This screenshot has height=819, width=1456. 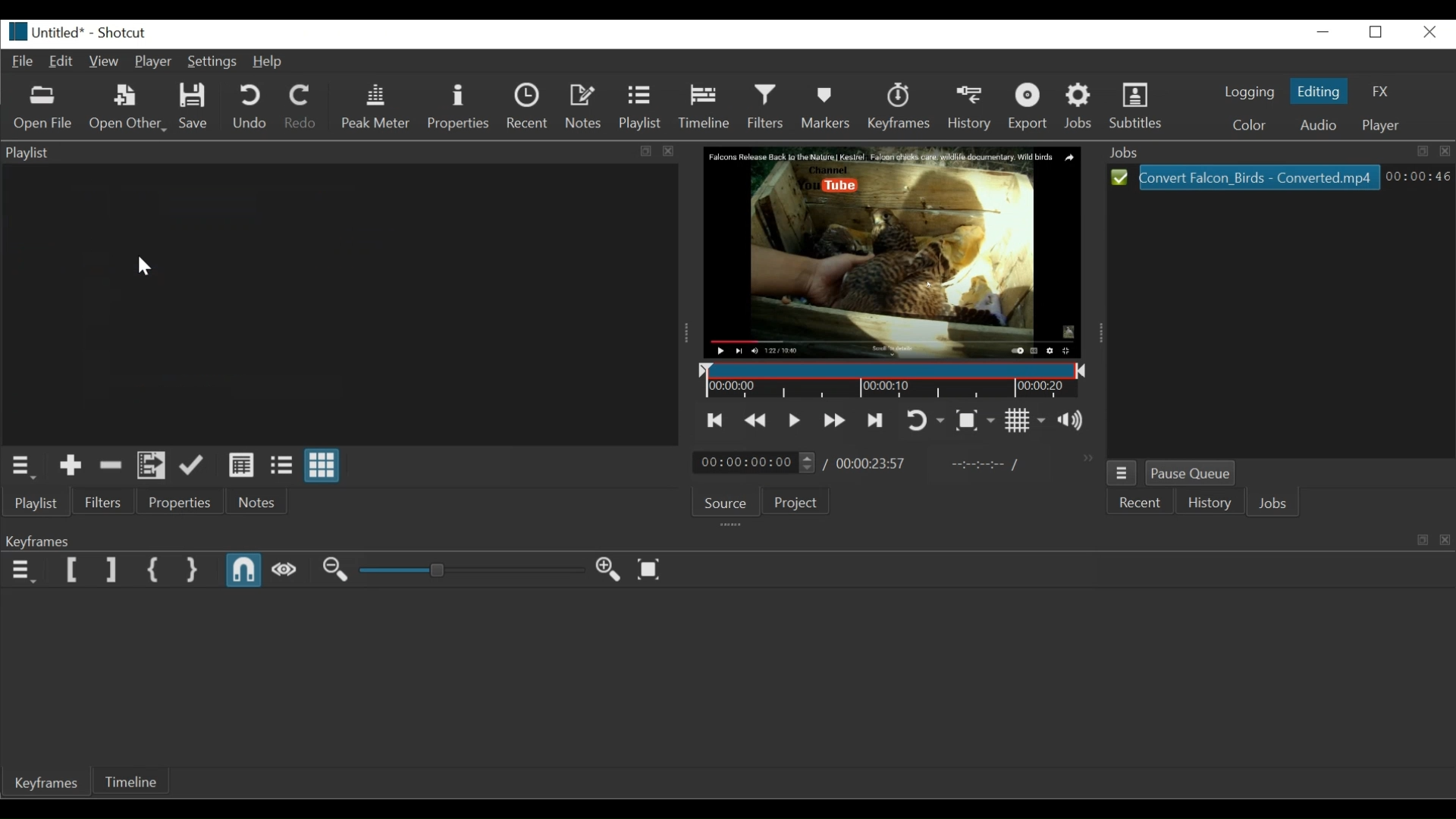 I want to click on Show the volume control, so click(x=1075, y=422).